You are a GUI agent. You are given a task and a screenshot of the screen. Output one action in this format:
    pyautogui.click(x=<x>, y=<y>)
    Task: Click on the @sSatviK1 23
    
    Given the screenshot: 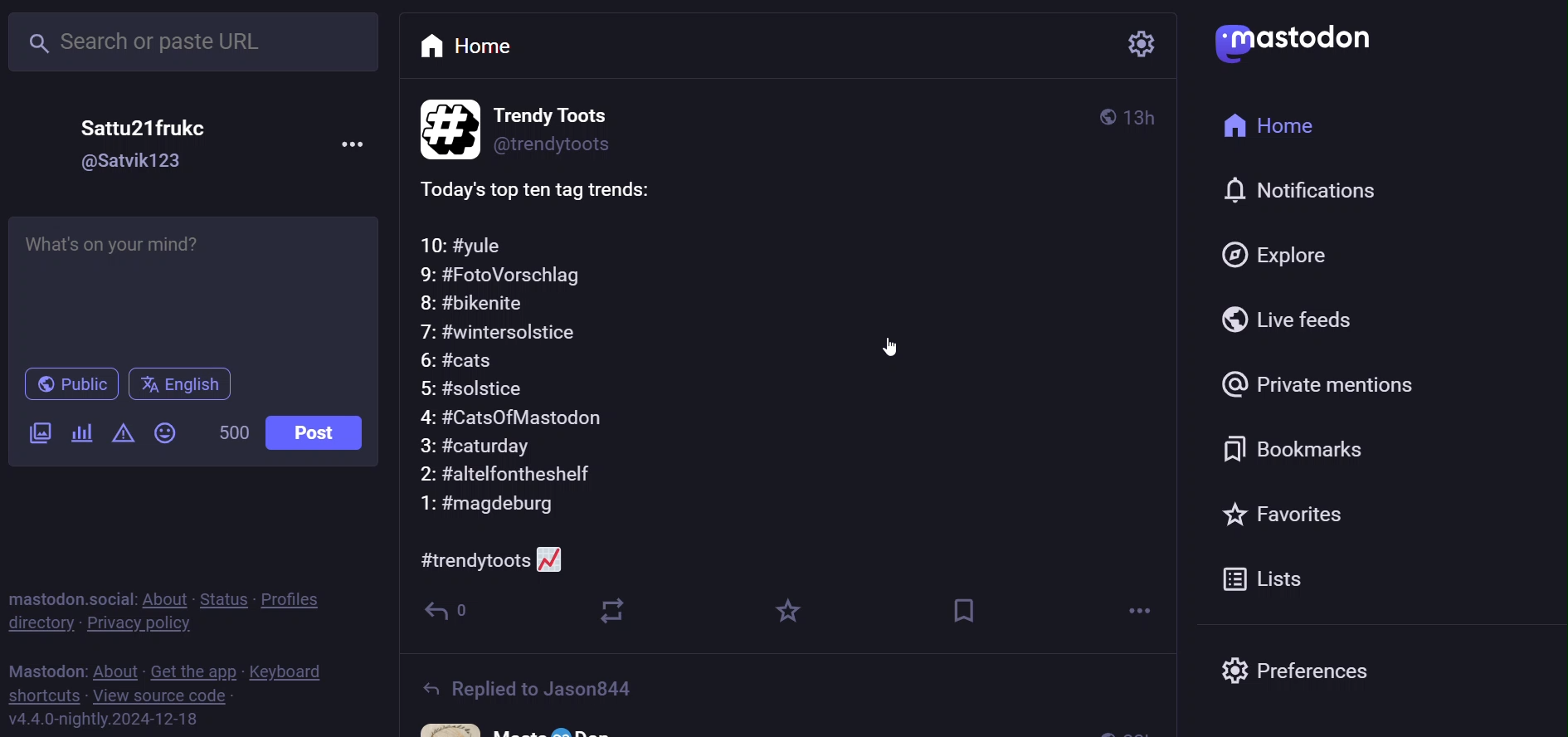 What is the action you would take?
    pyautogui.click(x=139, y=159)
    